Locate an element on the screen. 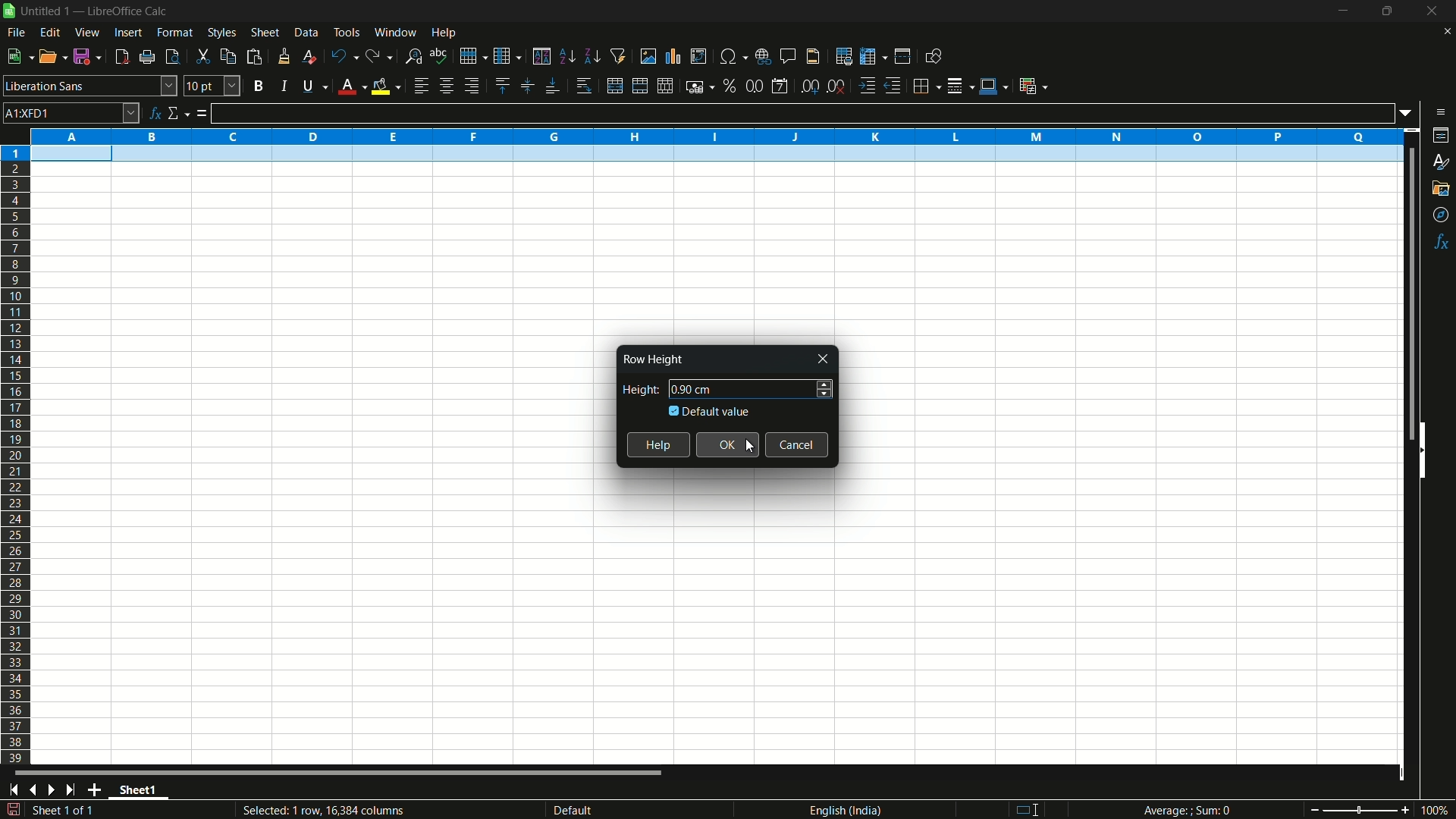  copy is located at coordinates (227, 56).